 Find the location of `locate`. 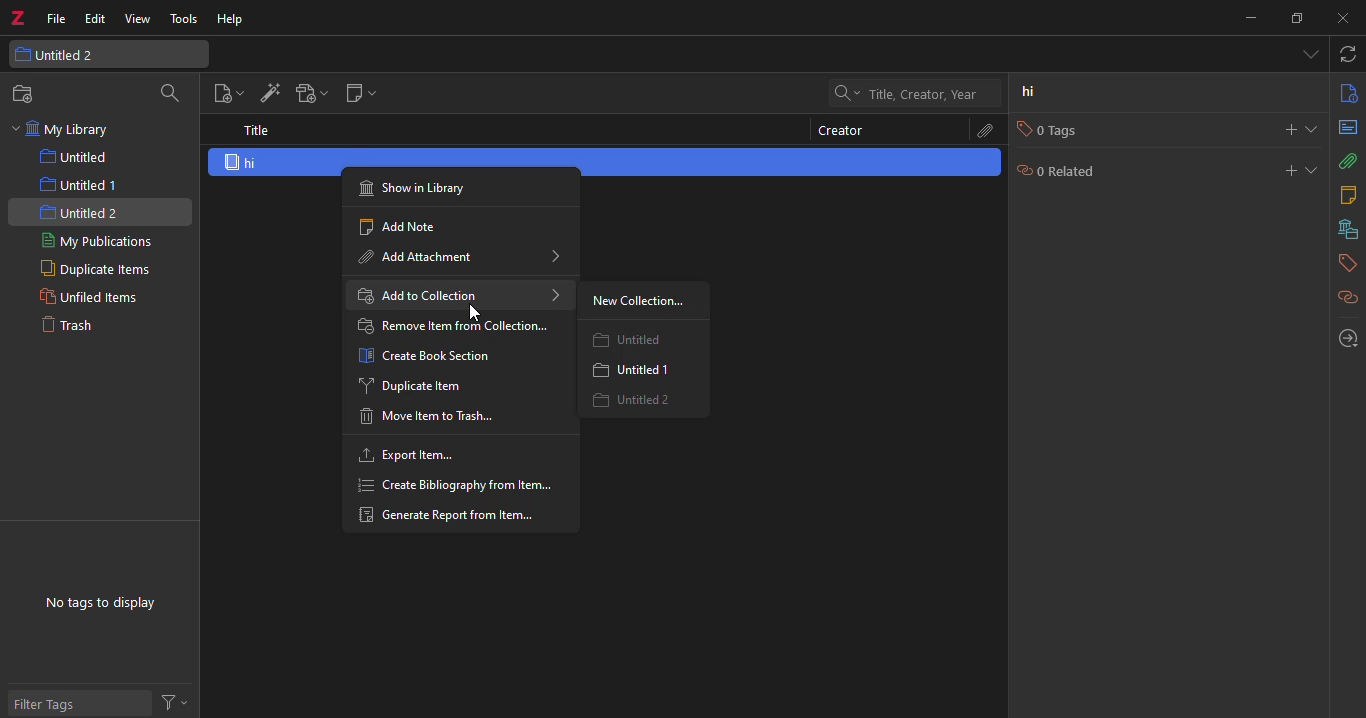

locate is located at coordinates (1341, 338).